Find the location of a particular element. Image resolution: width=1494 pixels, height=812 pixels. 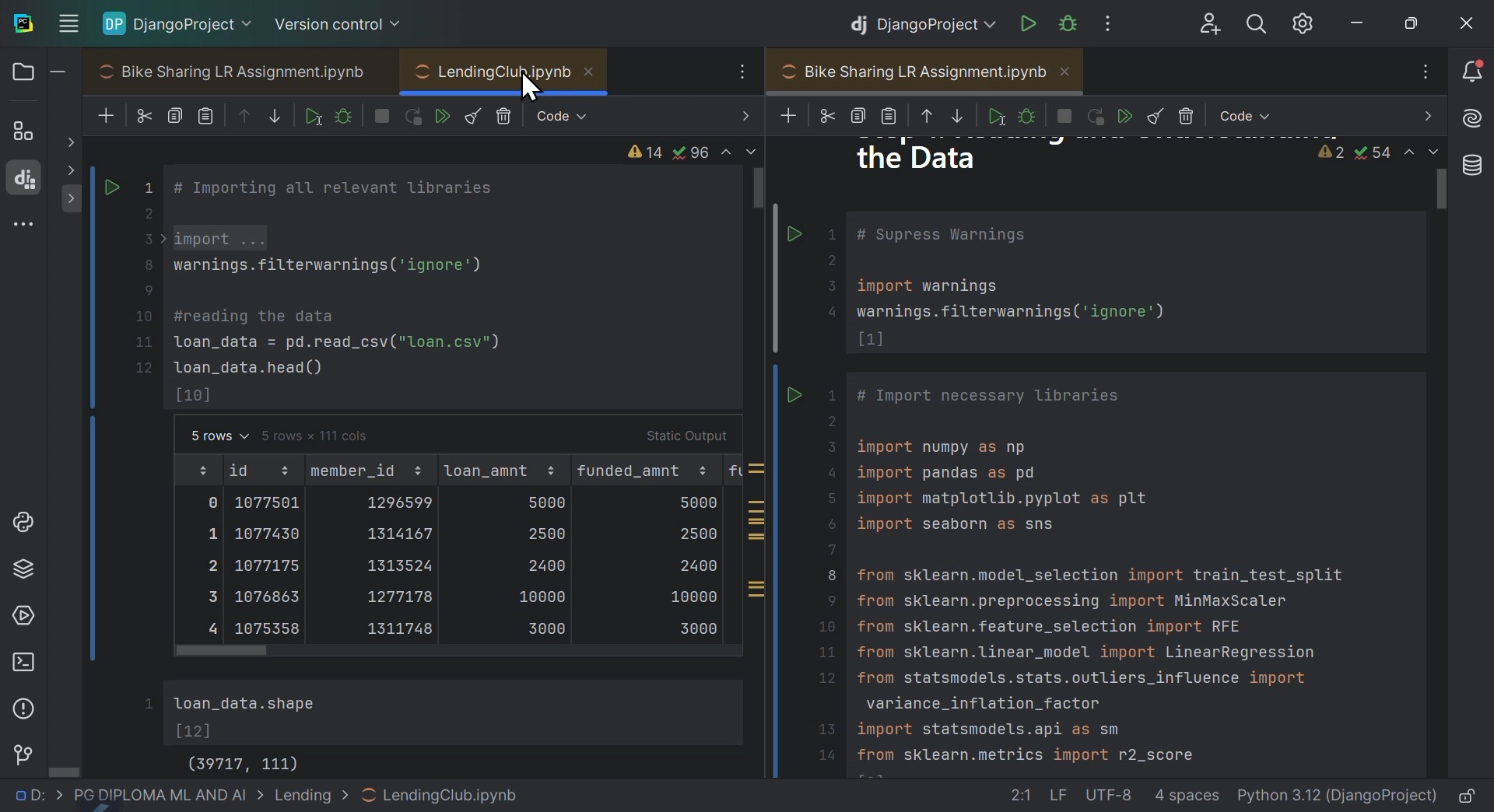

close is located at coordinates (1466, 19).